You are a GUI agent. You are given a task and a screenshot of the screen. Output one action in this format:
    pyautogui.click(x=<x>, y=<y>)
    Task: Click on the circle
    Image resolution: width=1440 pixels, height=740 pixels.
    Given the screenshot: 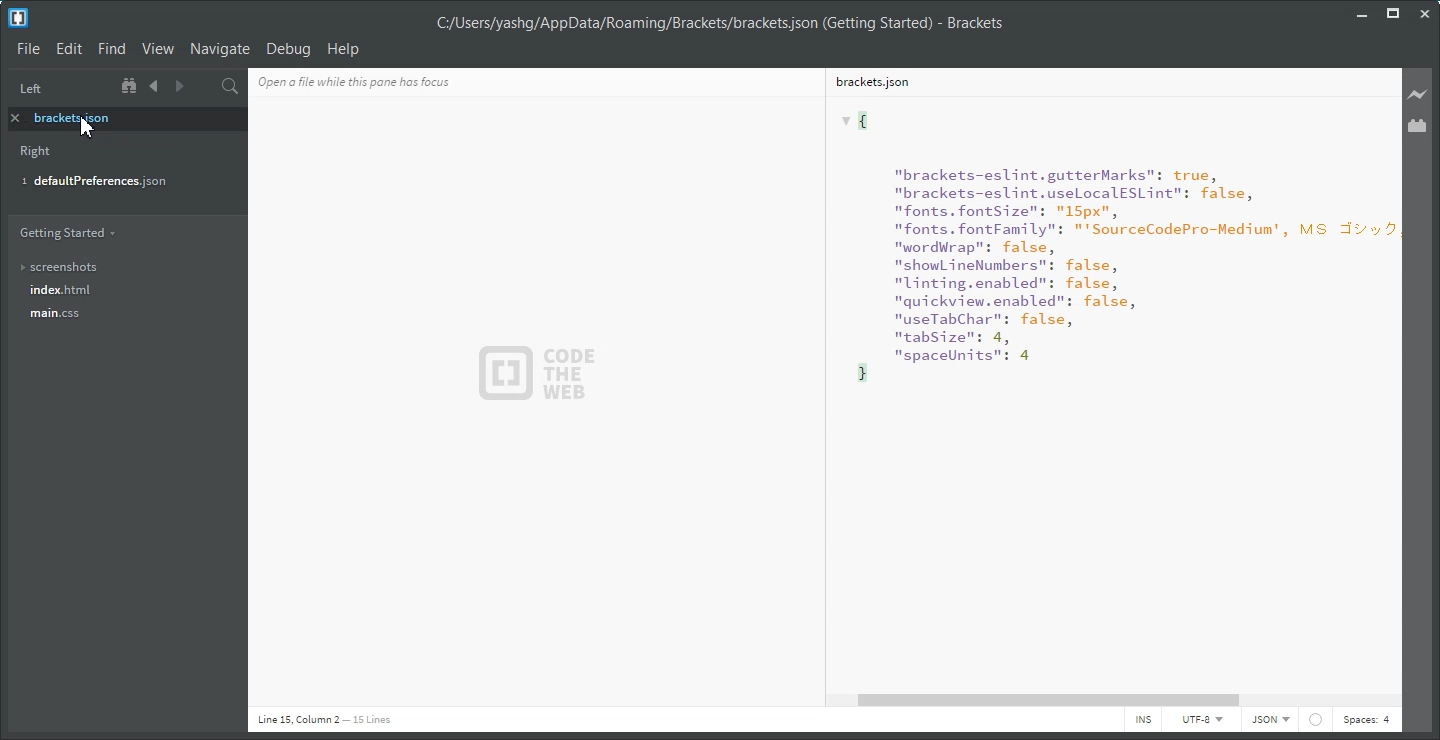 What is the action you would take?
    pyautogui.click(x=1315, y=722)
    